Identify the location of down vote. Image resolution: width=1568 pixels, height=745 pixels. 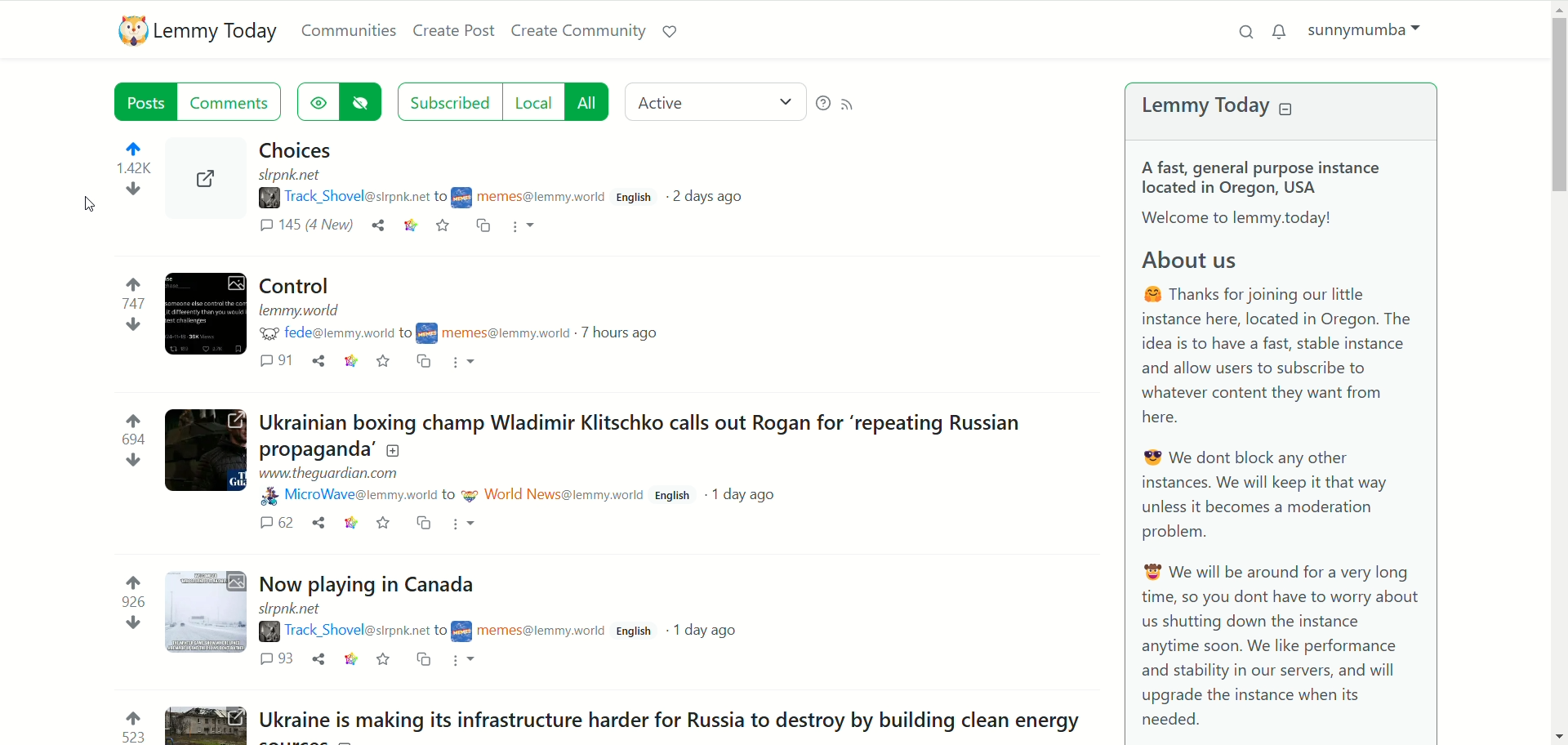
(129, 191).